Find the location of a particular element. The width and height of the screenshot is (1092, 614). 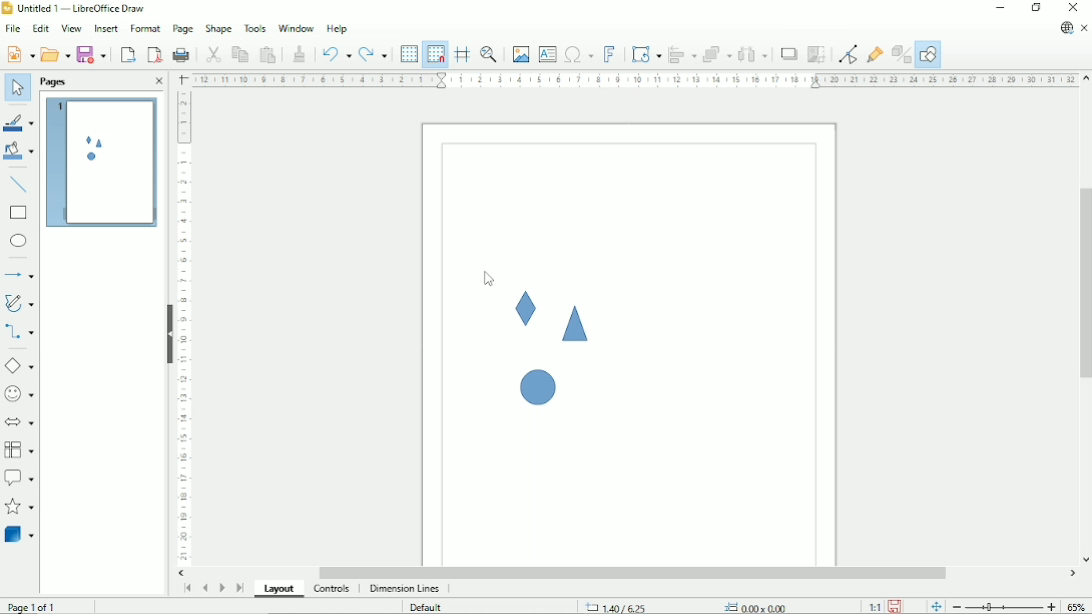

Scaling factor is located at coordinates (873, 607).